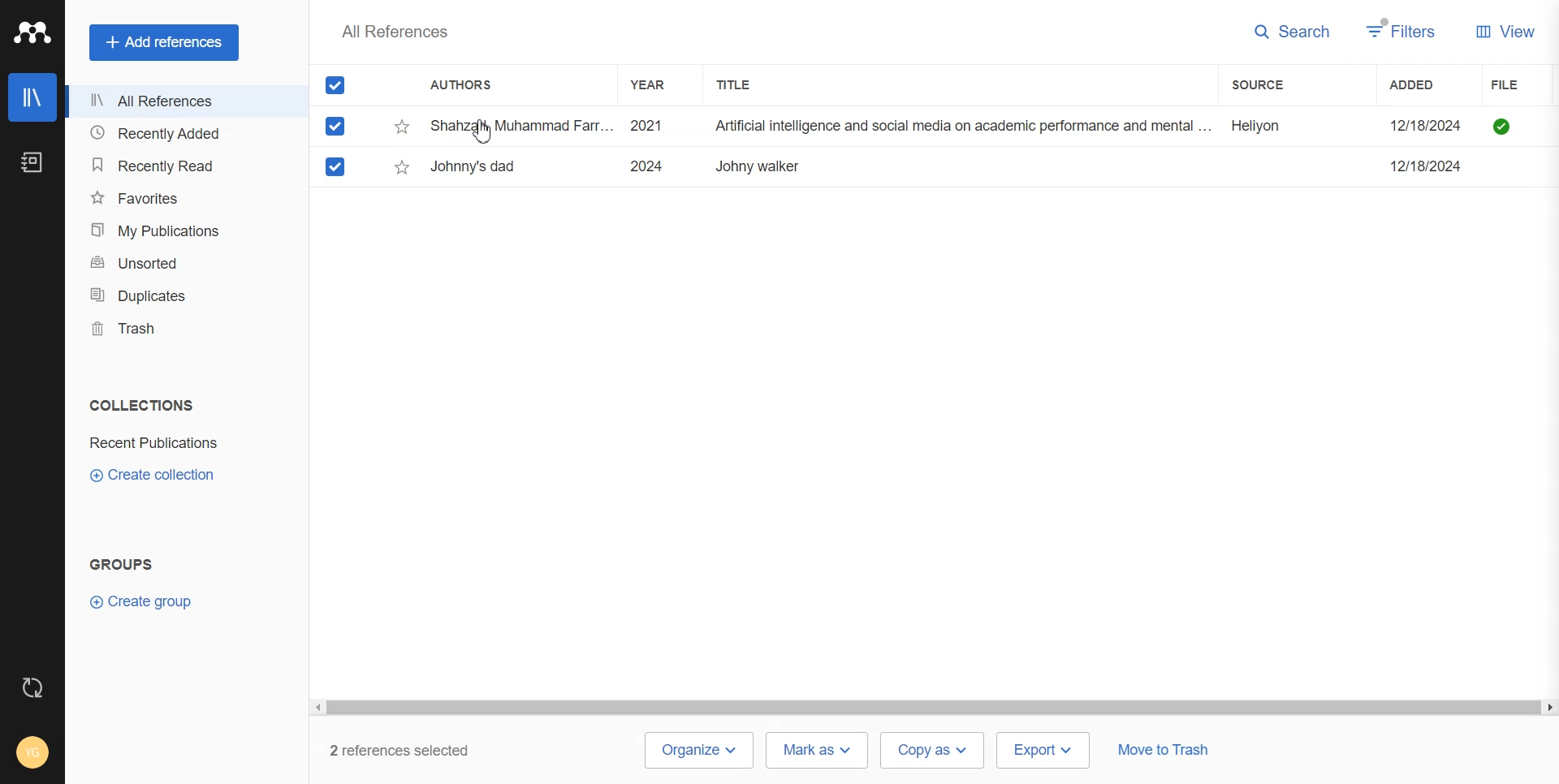 This screenshot has width=1559, height=784. I want to click on File, so click(1524, 85).